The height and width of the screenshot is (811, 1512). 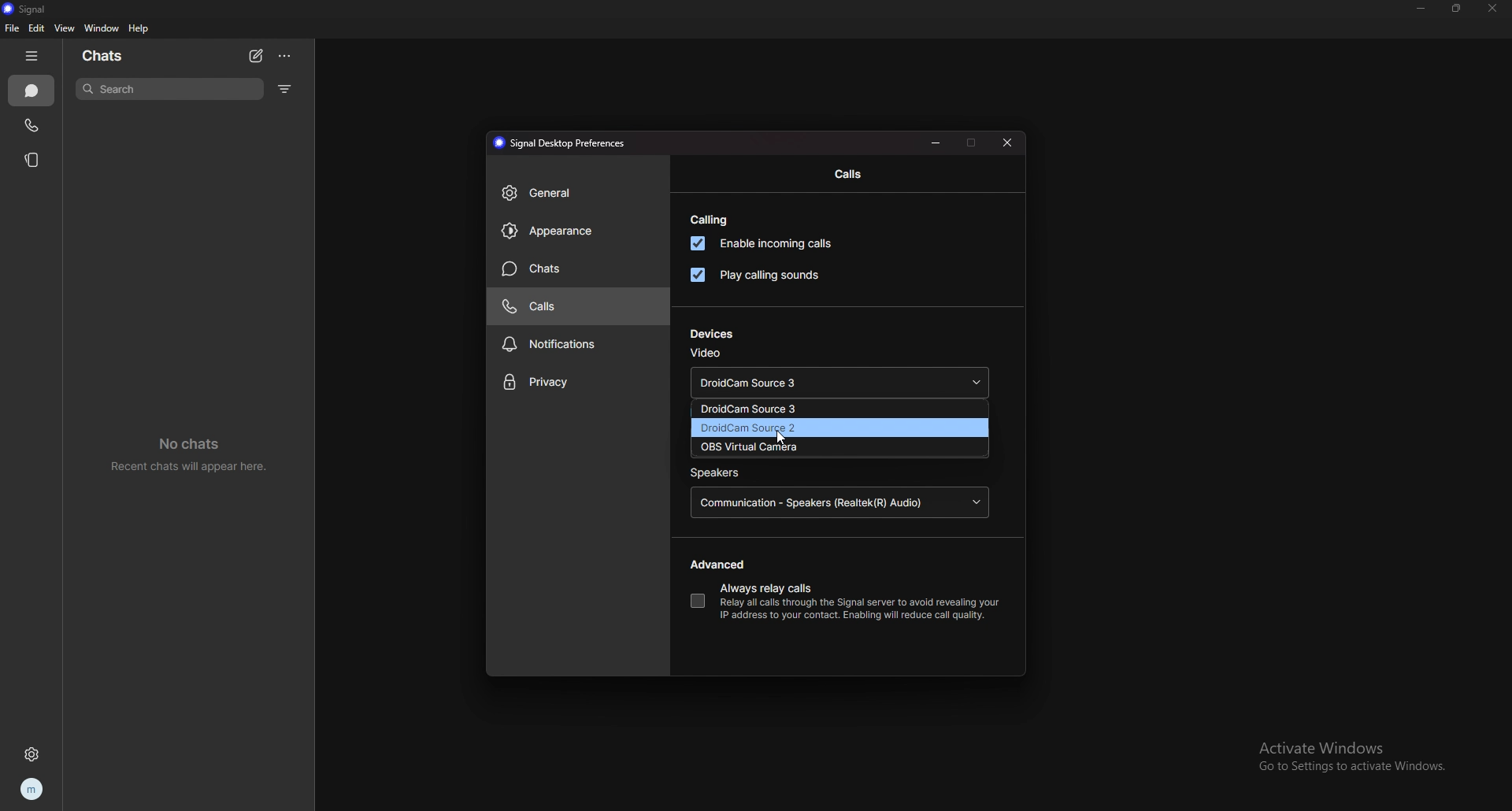 I want to click on stories, so click(x=32, y=159).